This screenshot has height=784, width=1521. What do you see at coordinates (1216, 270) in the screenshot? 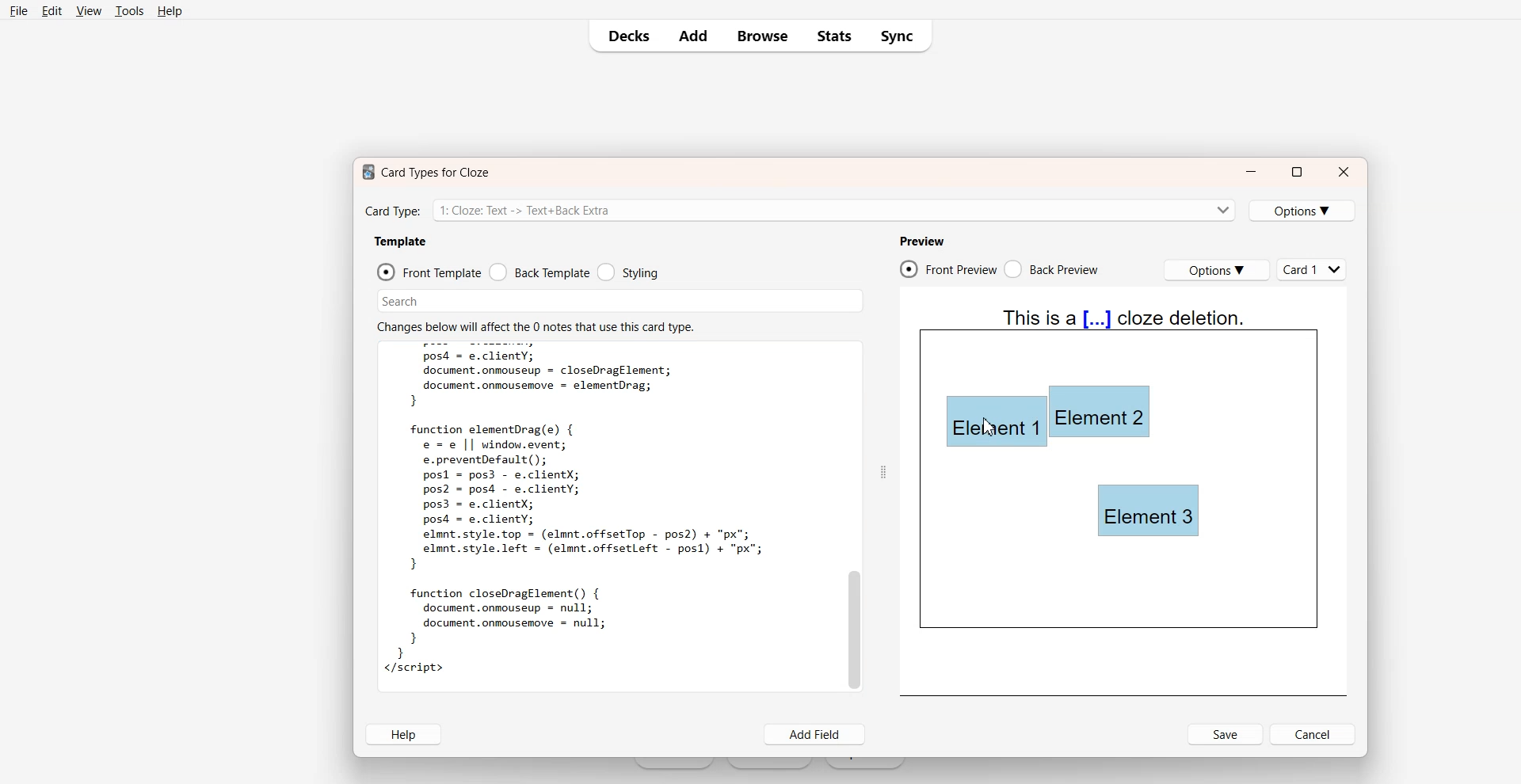
I see `Options` at bounding box center [1216, 270].